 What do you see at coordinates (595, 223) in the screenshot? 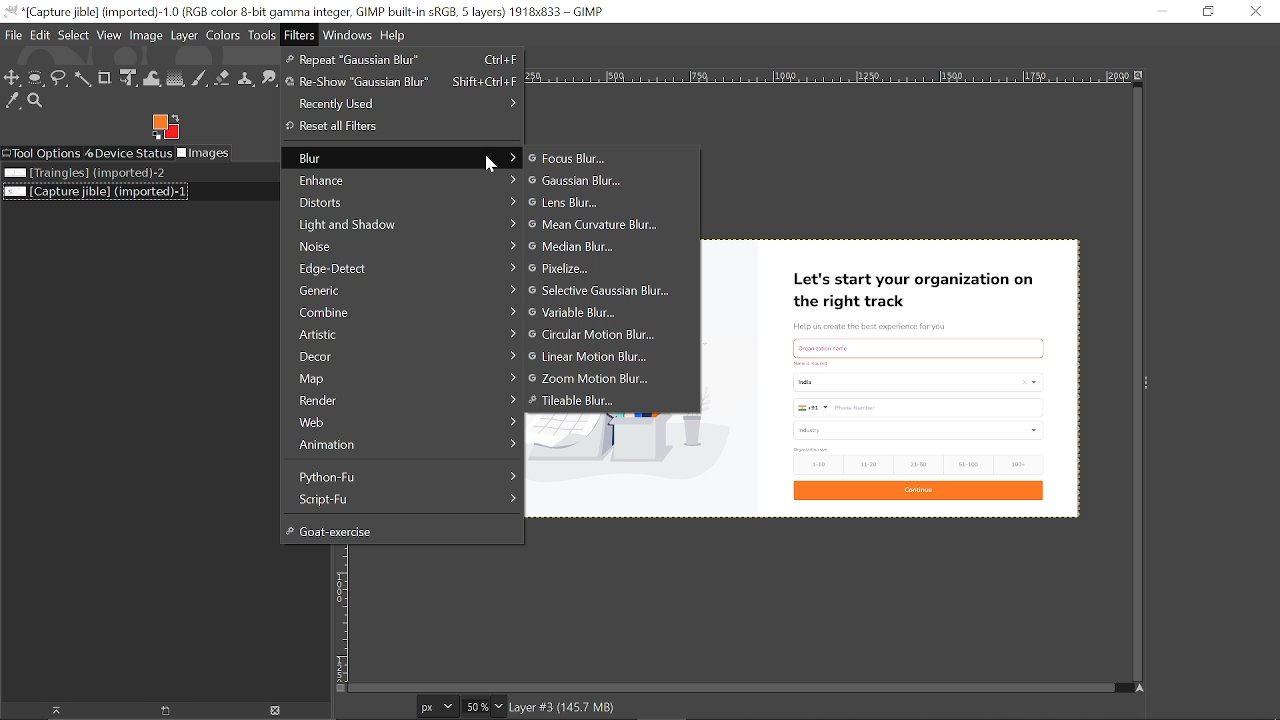
I see `Mean curvature Blur` at bounding box center [595, 223].